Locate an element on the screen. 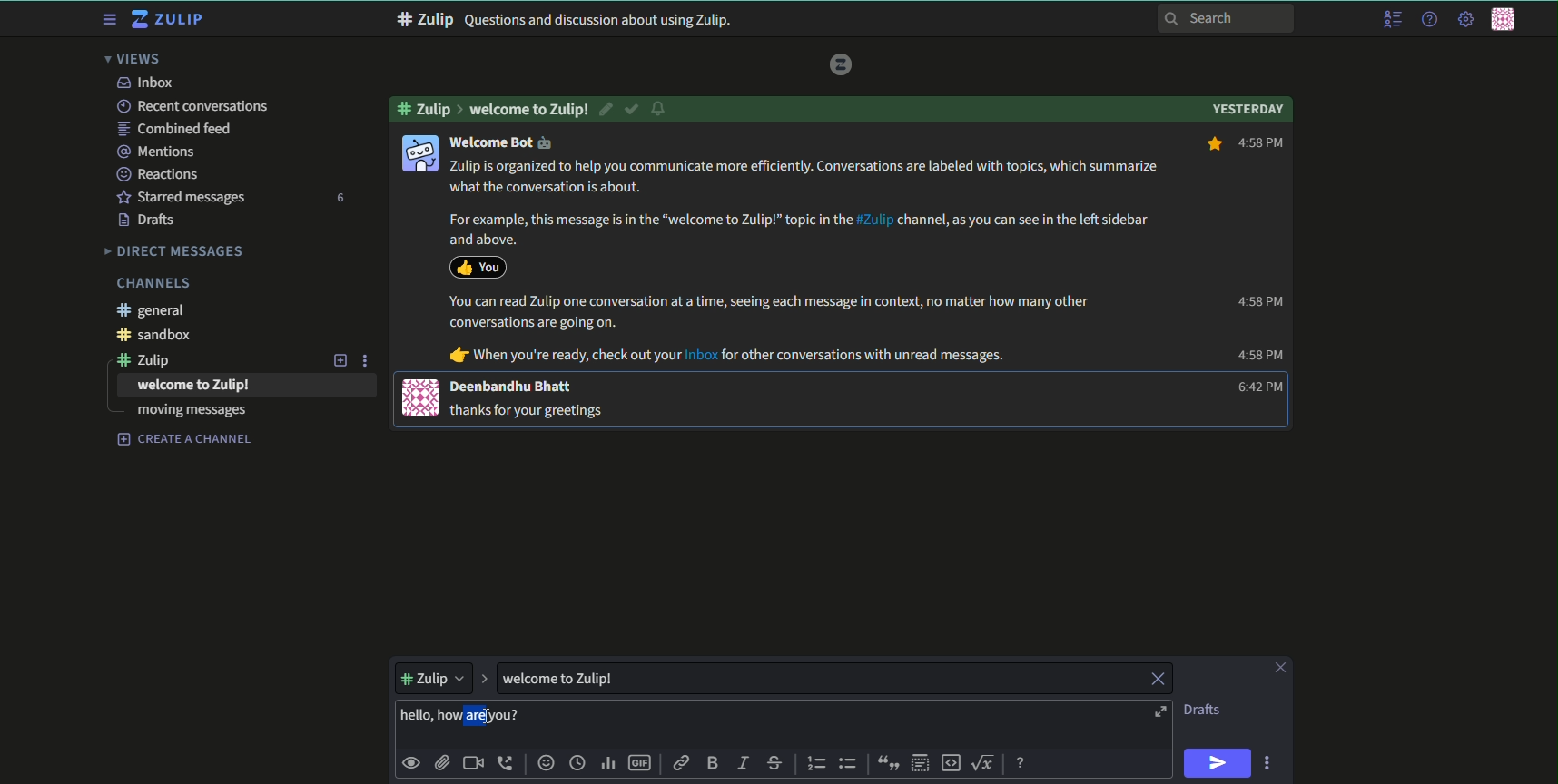 This screenshot has height=784, width=1558. number is located at coordinates (339, 198).